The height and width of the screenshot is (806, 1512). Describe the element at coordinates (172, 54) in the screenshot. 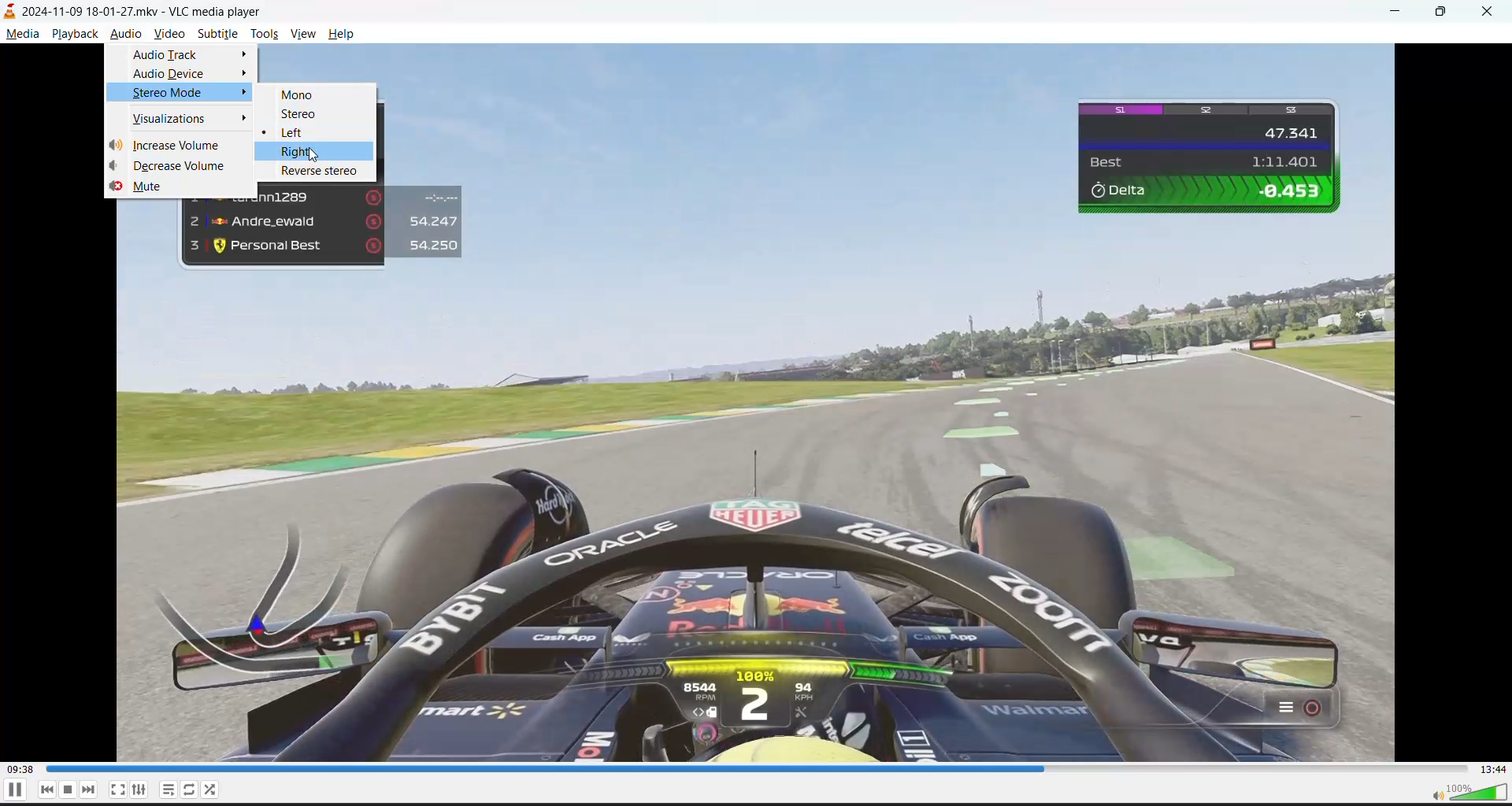

I see `audio track` at that location.